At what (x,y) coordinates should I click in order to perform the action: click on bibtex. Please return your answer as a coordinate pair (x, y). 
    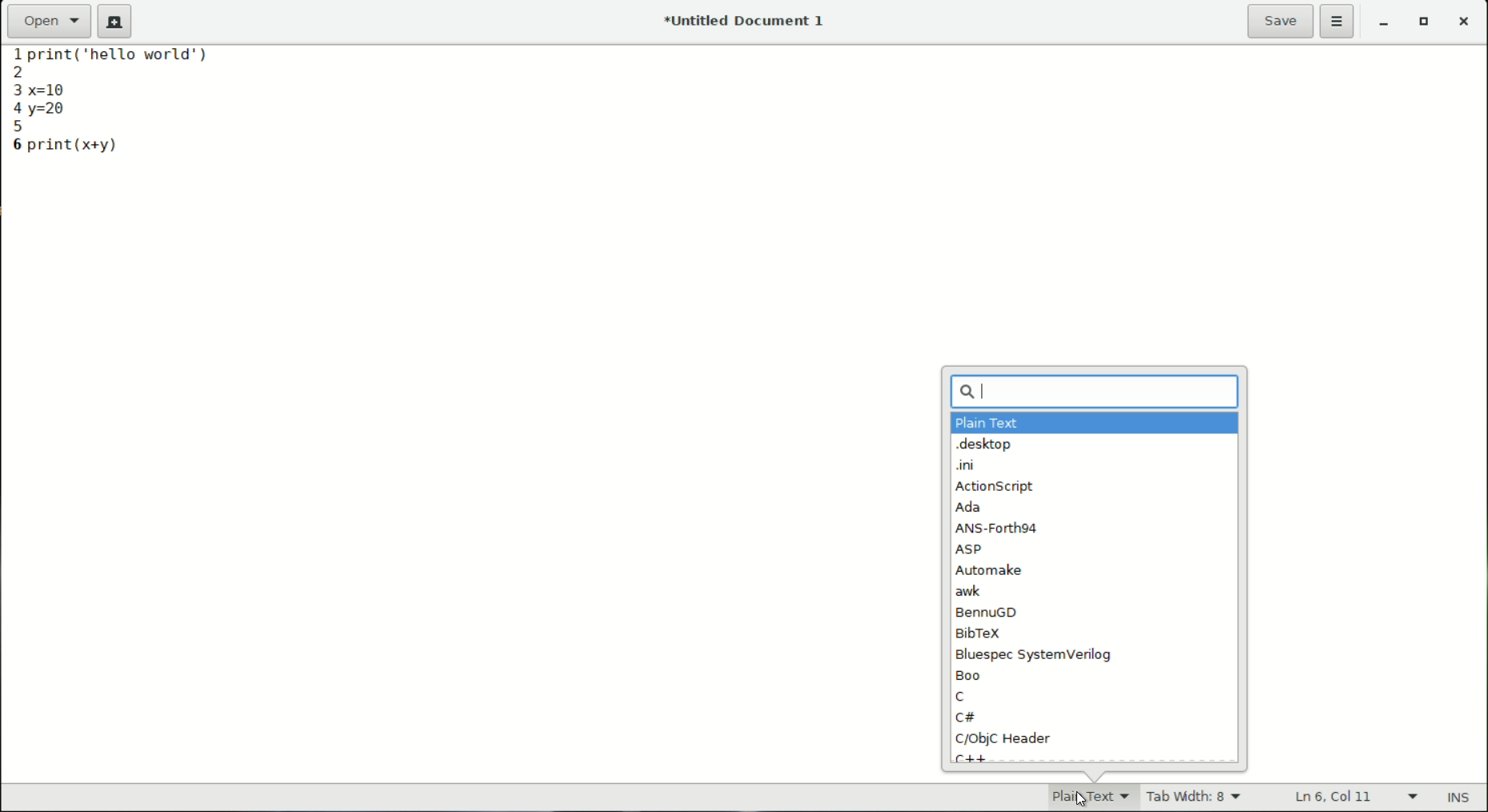
    Looking at the image, I should click on (977, 632).